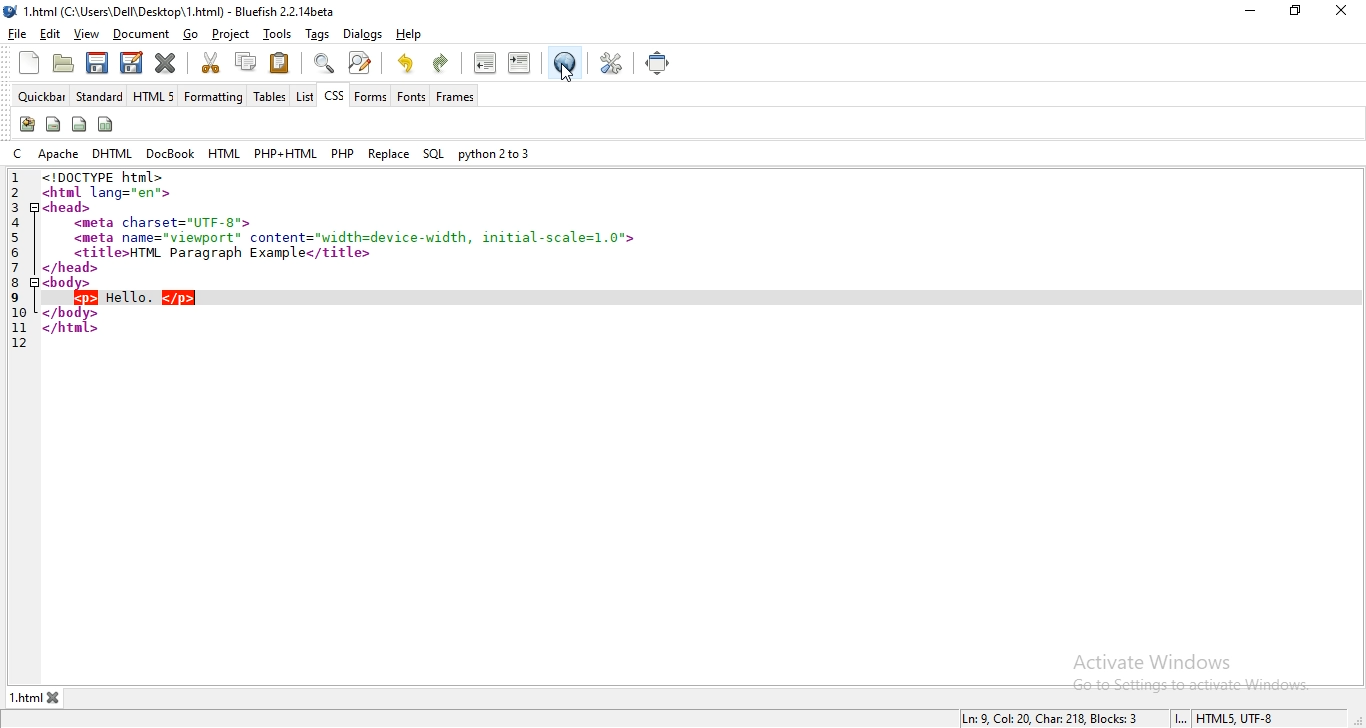 The image size is (1366, 728). What do you see at coordinates (411, 96) in the screenshot?
I see `fonts` at bounding box center [411, 96].